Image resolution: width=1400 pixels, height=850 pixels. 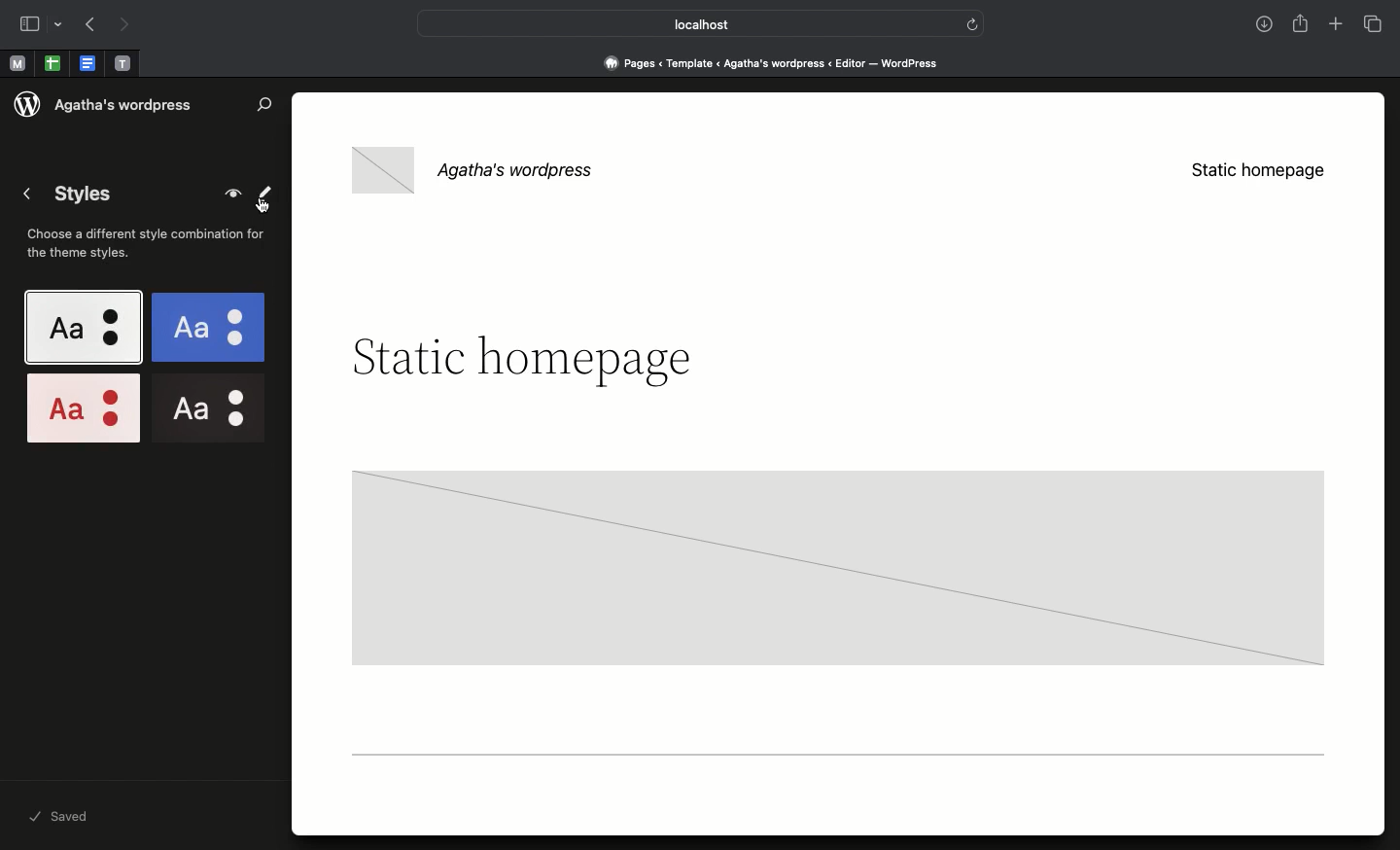 What do you see at coordinates (686, 23) in the screenshot?
I see `Local host` at bounding box center [686, 23].